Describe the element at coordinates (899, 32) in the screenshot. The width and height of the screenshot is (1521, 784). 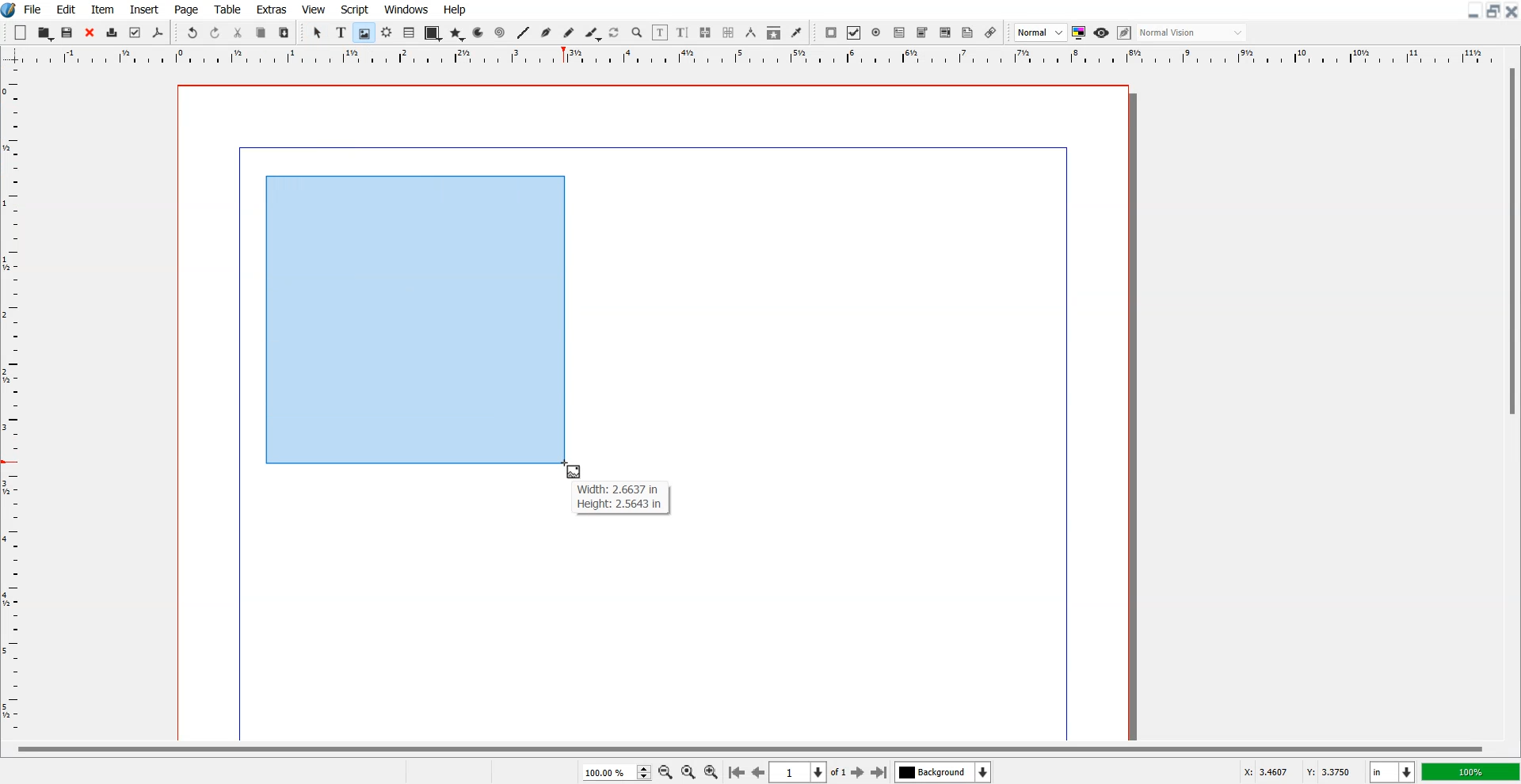
I see `PDF Text Field` at that location.